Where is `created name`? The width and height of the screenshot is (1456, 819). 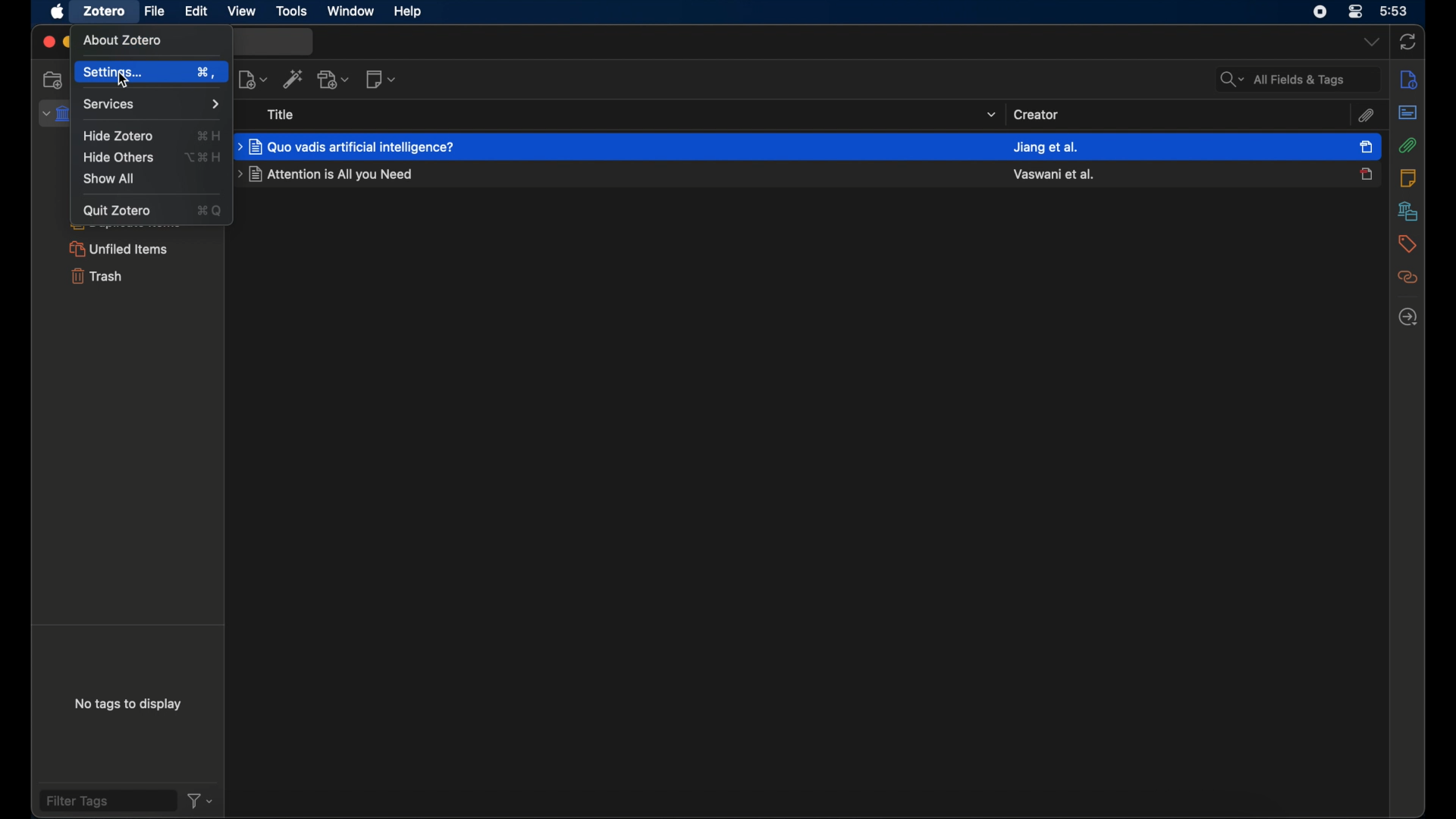 created name is located at coordinates (1053, 174).